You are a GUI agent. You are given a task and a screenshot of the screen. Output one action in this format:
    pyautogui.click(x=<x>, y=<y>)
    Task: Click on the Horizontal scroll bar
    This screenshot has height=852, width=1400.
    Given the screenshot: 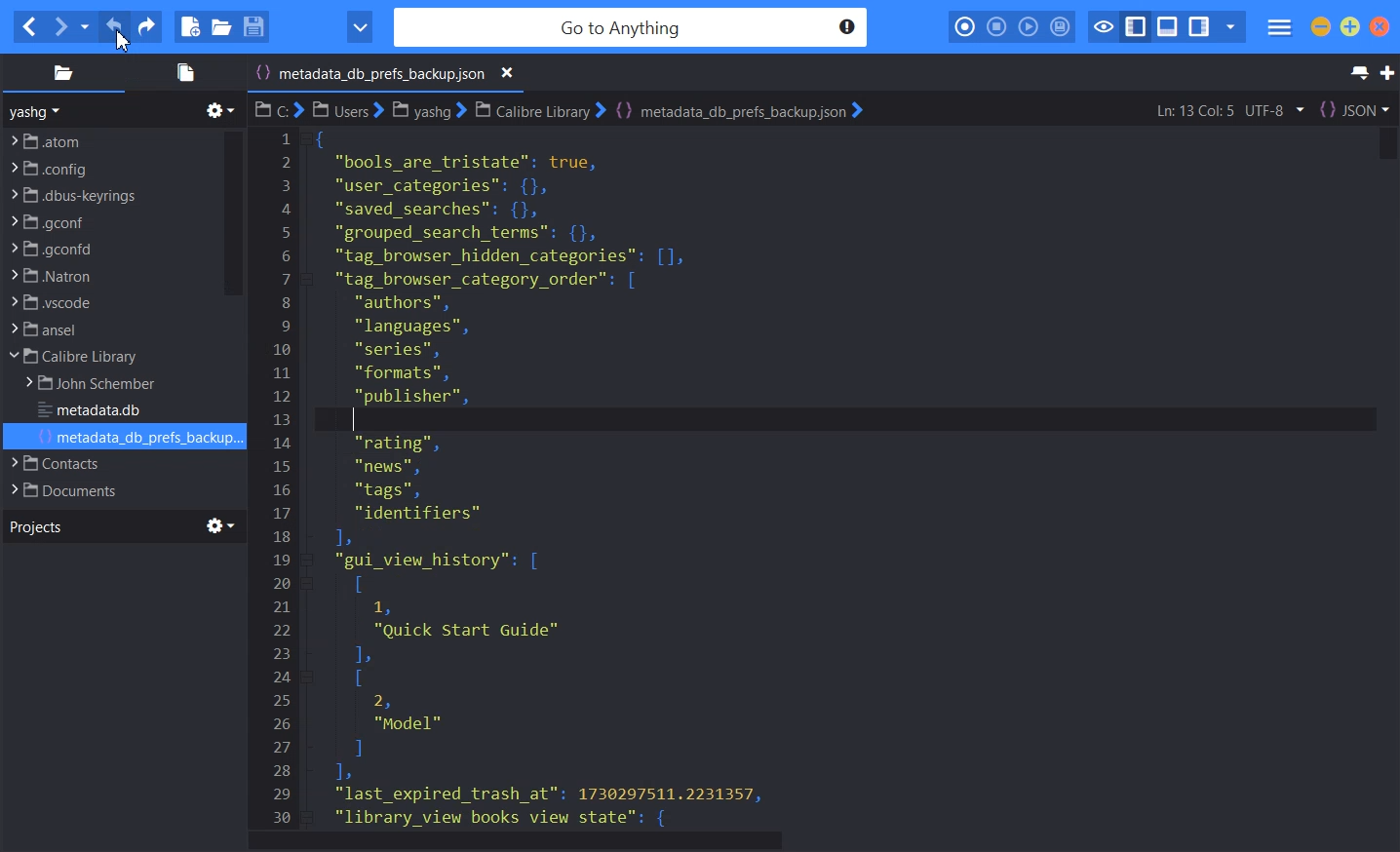 What is the action you would take?
    pyautogui.click(x=823, y=841)
    